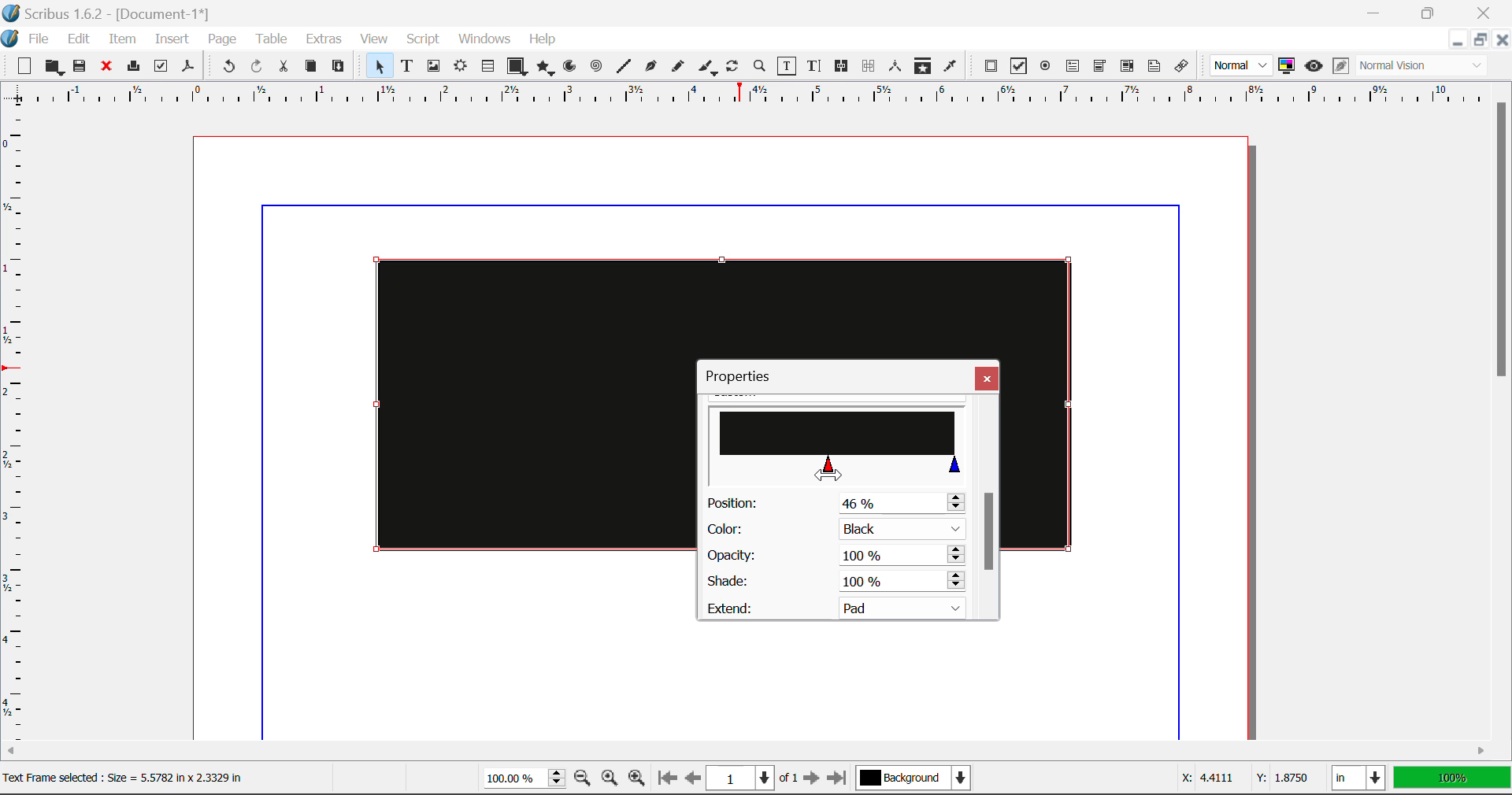 The height and width of the screenshot is (795, 1512). I want to click on Visual Appearance Type, so click(1423, 67).